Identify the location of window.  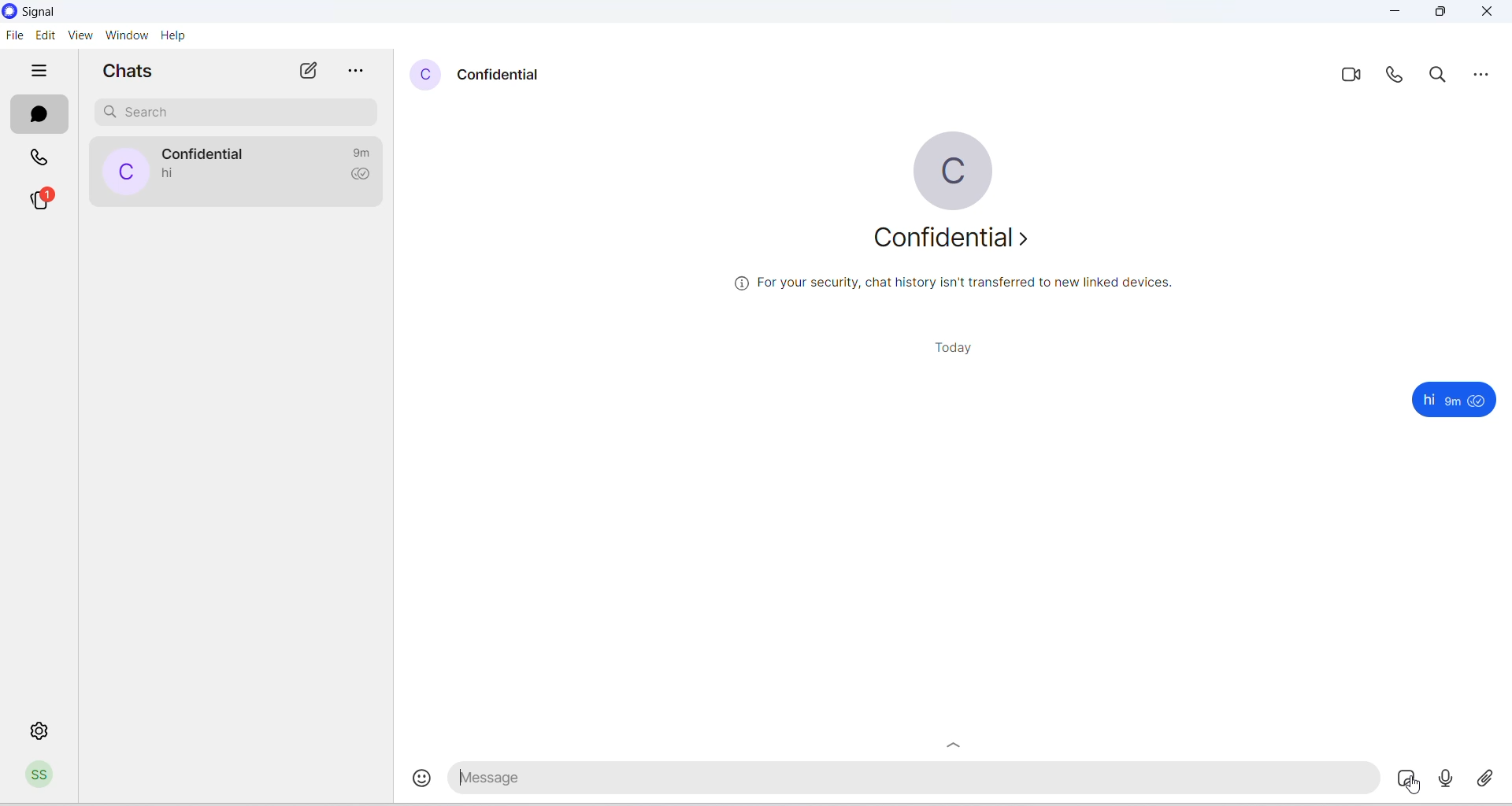
(126, 35).